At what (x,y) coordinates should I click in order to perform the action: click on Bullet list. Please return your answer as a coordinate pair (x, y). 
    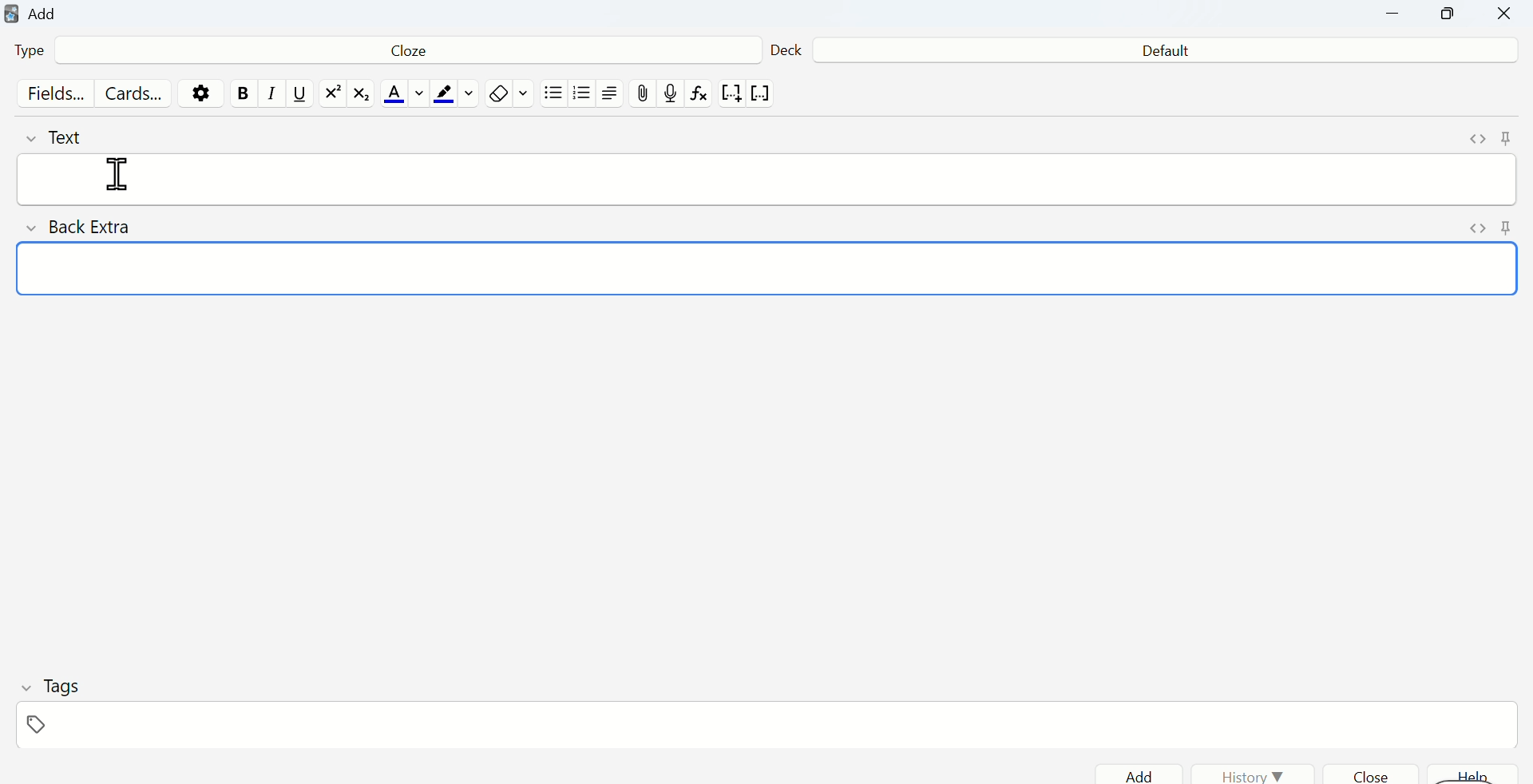
    Looking at the image, I should click on (553, 97).